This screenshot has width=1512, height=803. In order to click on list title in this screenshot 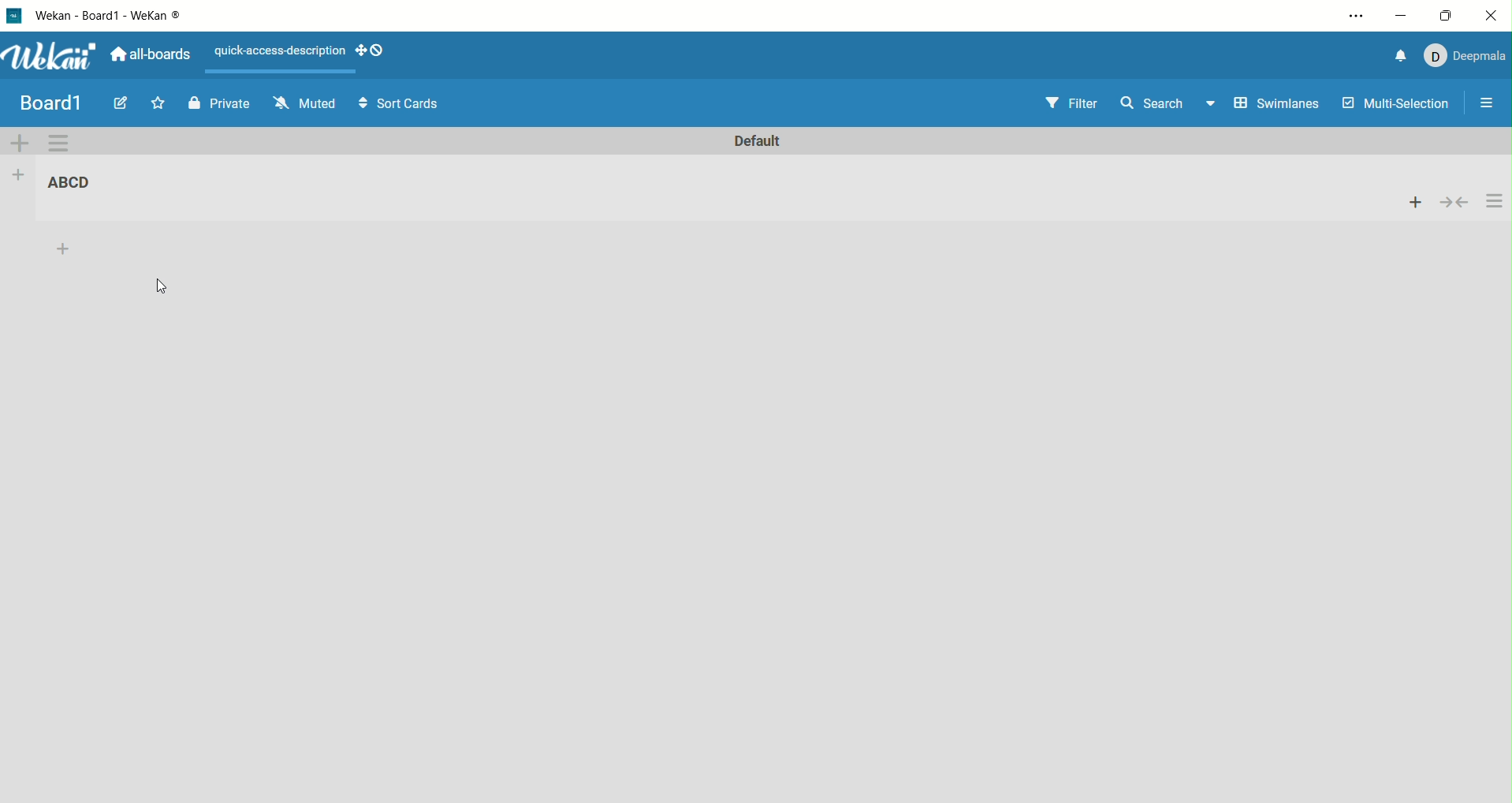, I will do `click(76, 185)`.